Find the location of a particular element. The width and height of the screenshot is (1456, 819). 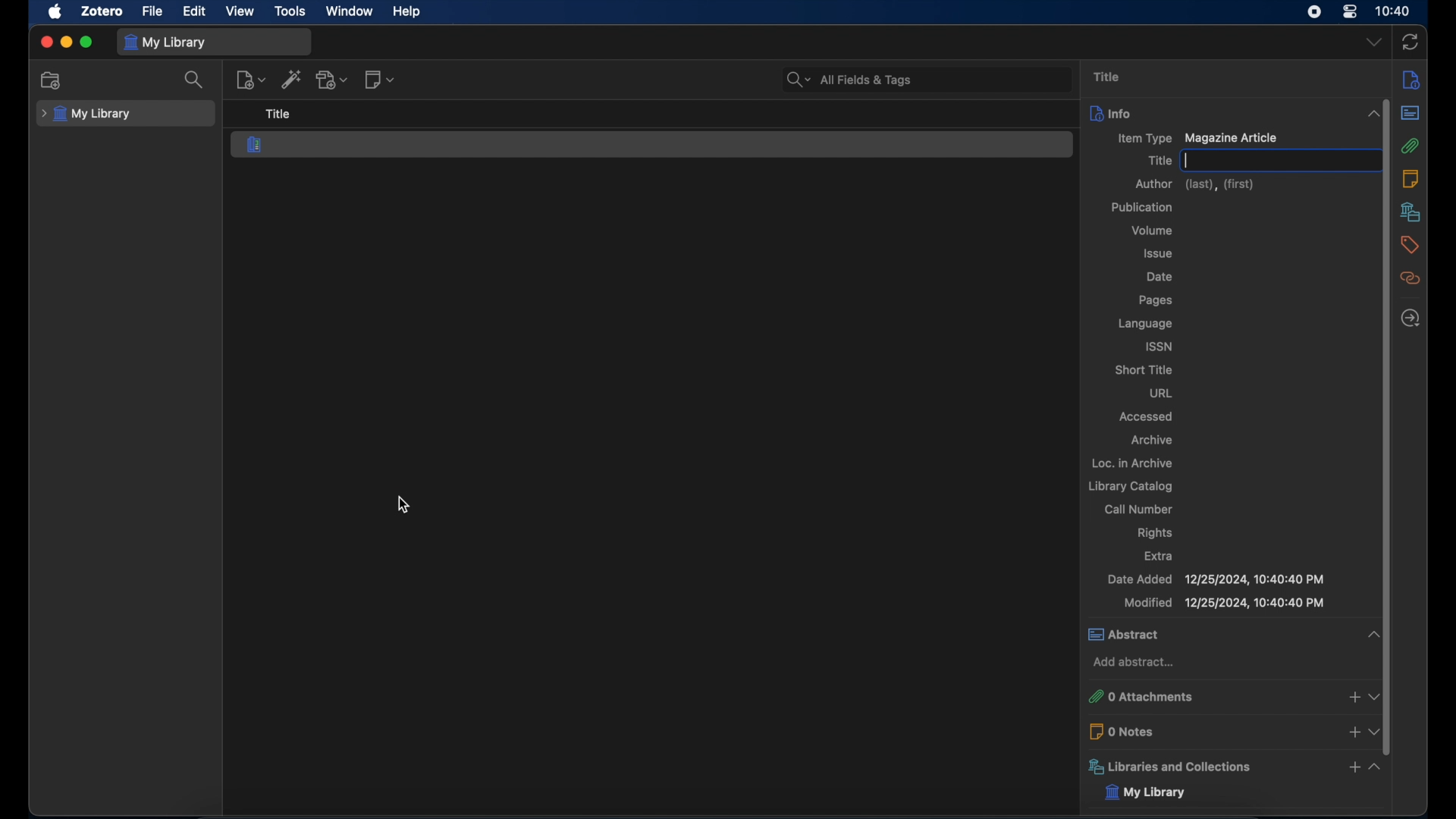

volume is located at coordinates (1152, 231).